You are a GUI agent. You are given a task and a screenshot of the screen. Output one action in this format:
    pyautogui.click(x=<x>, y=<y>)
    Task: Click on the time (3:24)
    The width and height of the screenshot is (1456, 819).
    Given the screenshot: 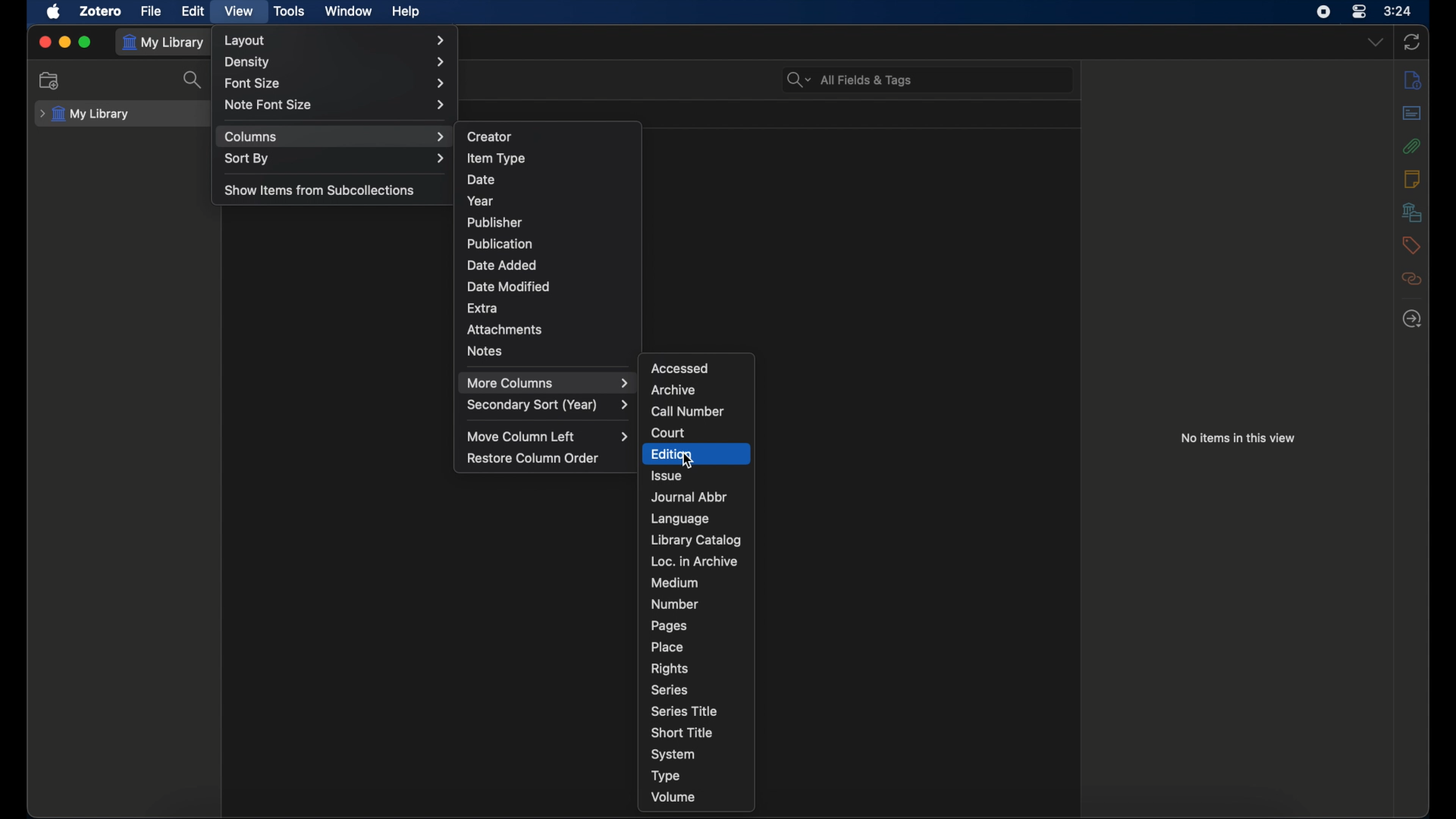 What is the action you would take?
    pyautogui.click(x=1398, y=10)
    